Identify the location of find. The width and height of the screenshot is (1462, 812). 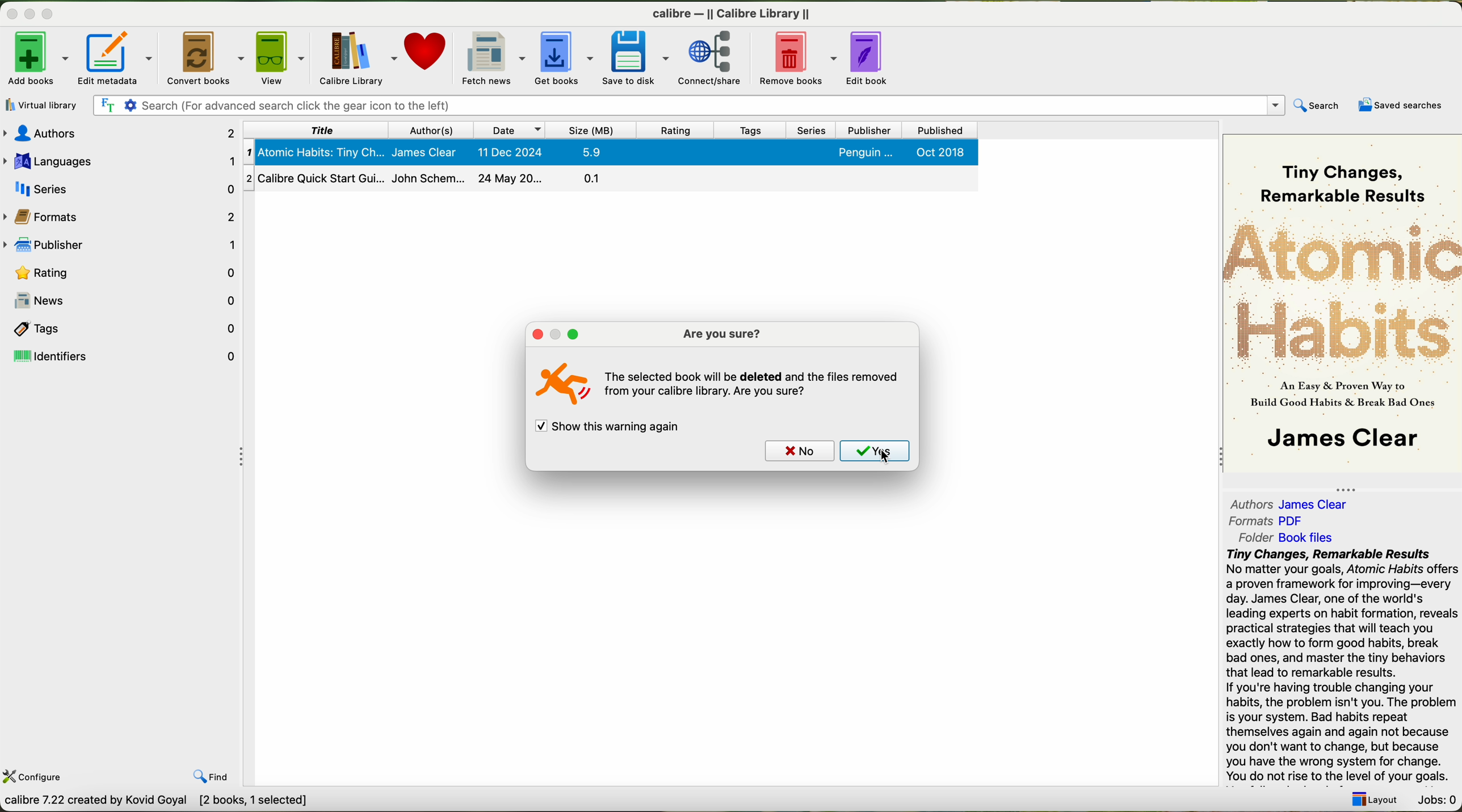
(214, 778).